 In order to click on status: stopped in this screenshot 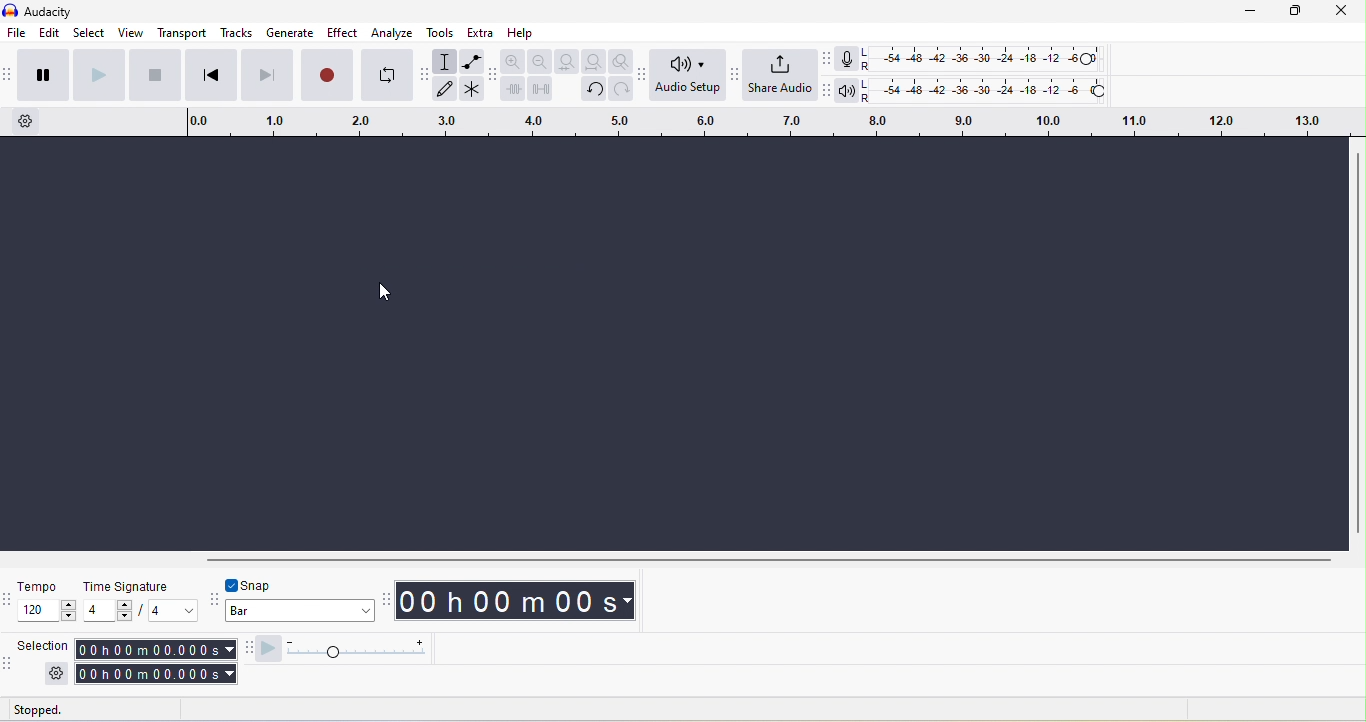, I will do `click(37, 712)`.